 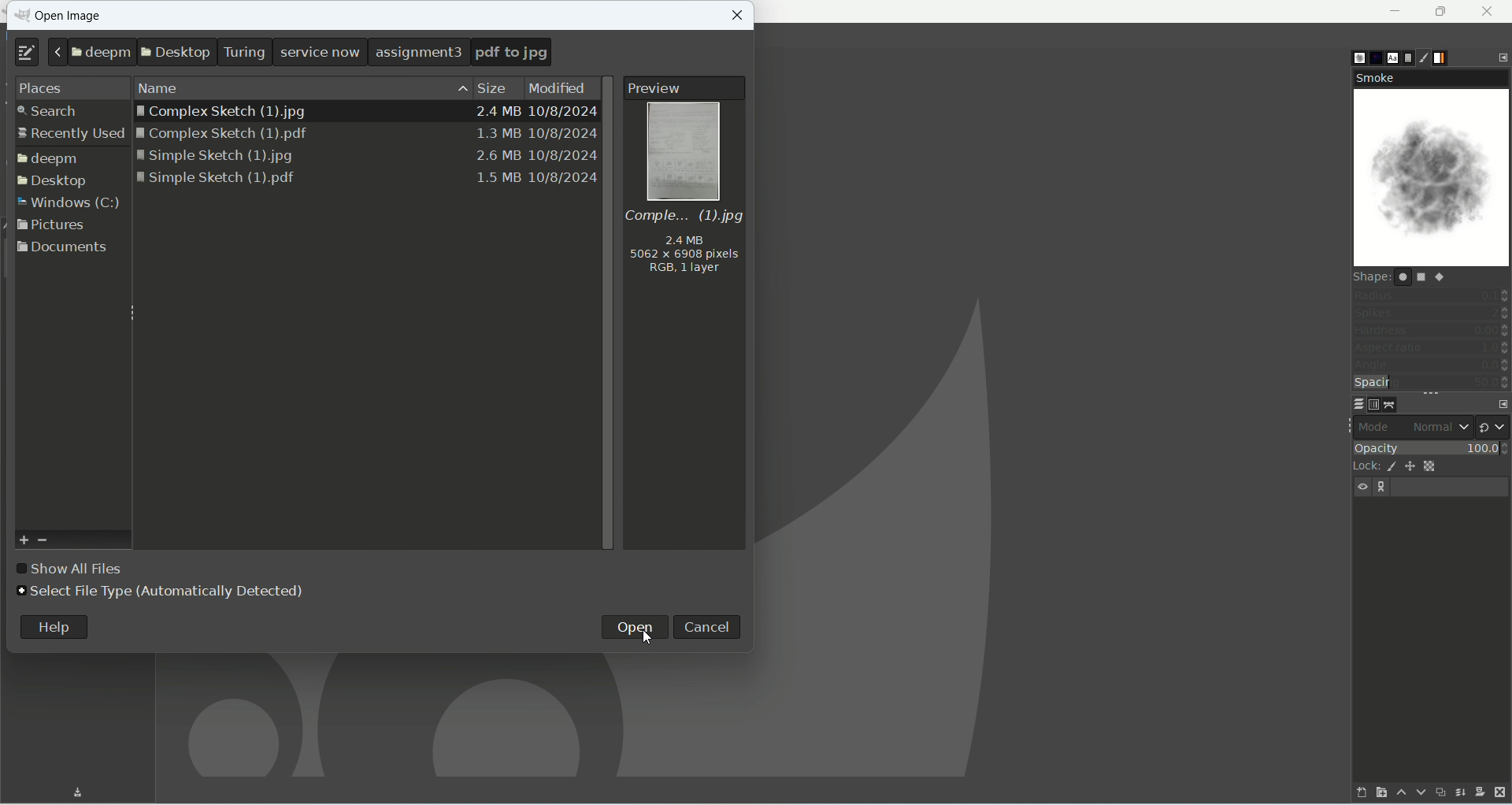 I want to click on preview, so click(x=686, y=90).